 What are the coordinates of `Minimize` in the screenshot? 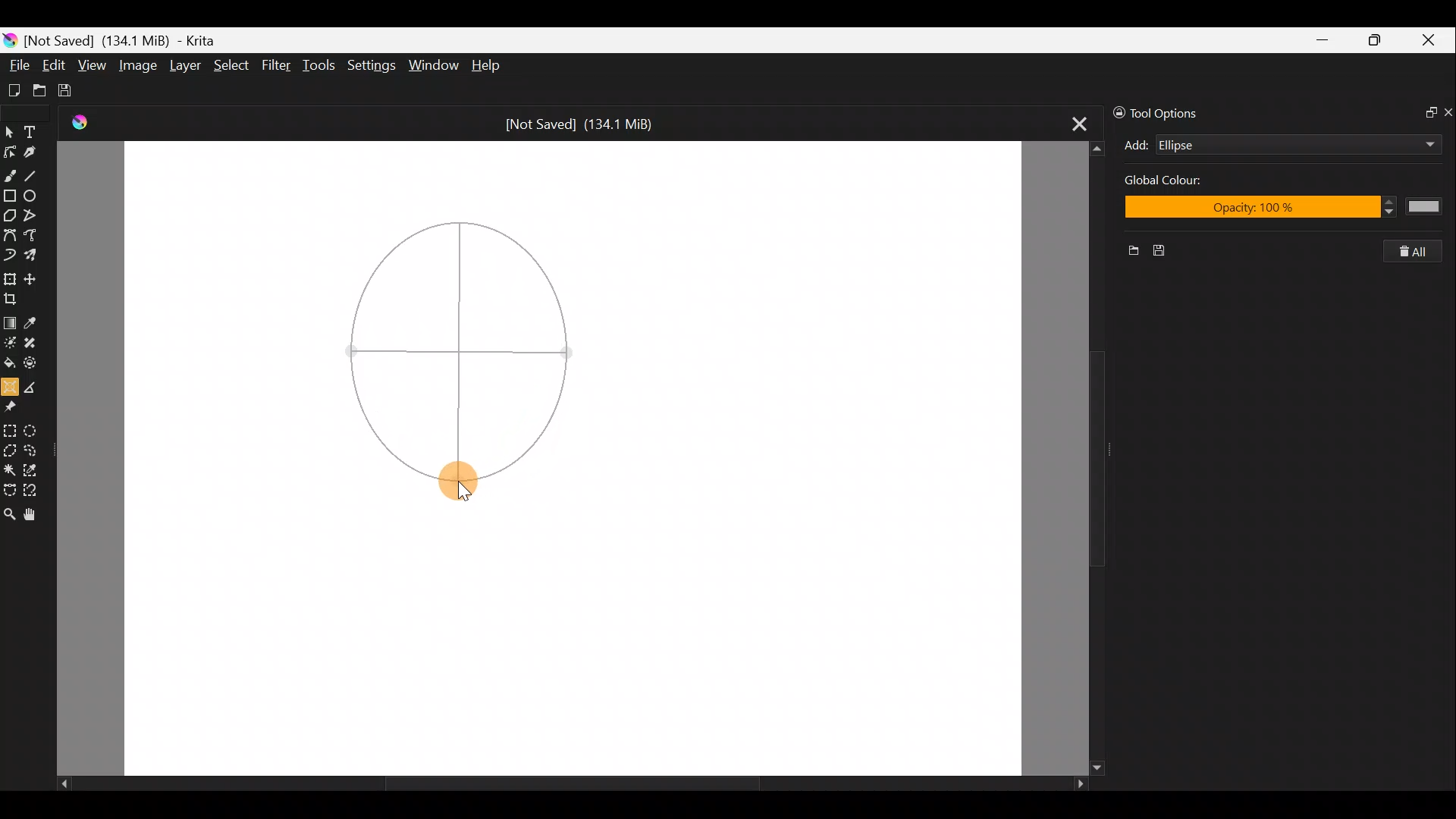 It's located at (1324, 39).